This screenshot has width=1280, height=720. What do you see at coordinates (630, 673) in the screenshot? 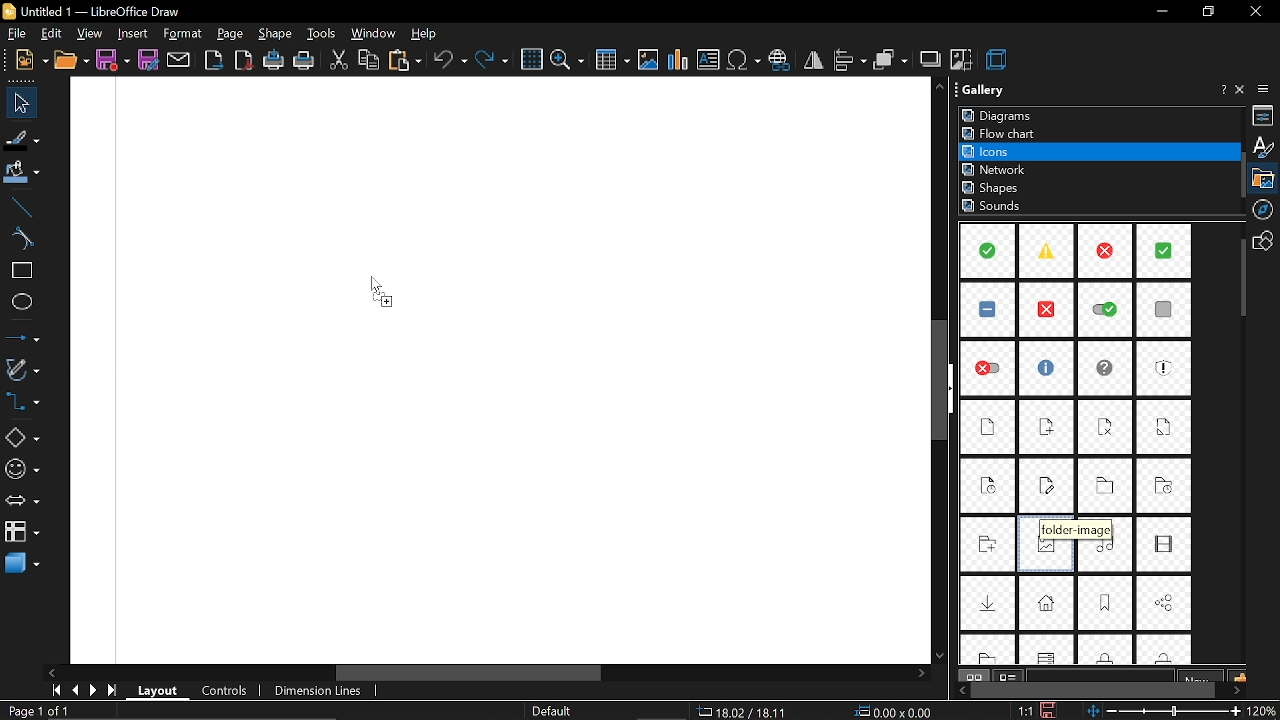
I see `horizontal scrollbar` at bounding box center [630, 673].